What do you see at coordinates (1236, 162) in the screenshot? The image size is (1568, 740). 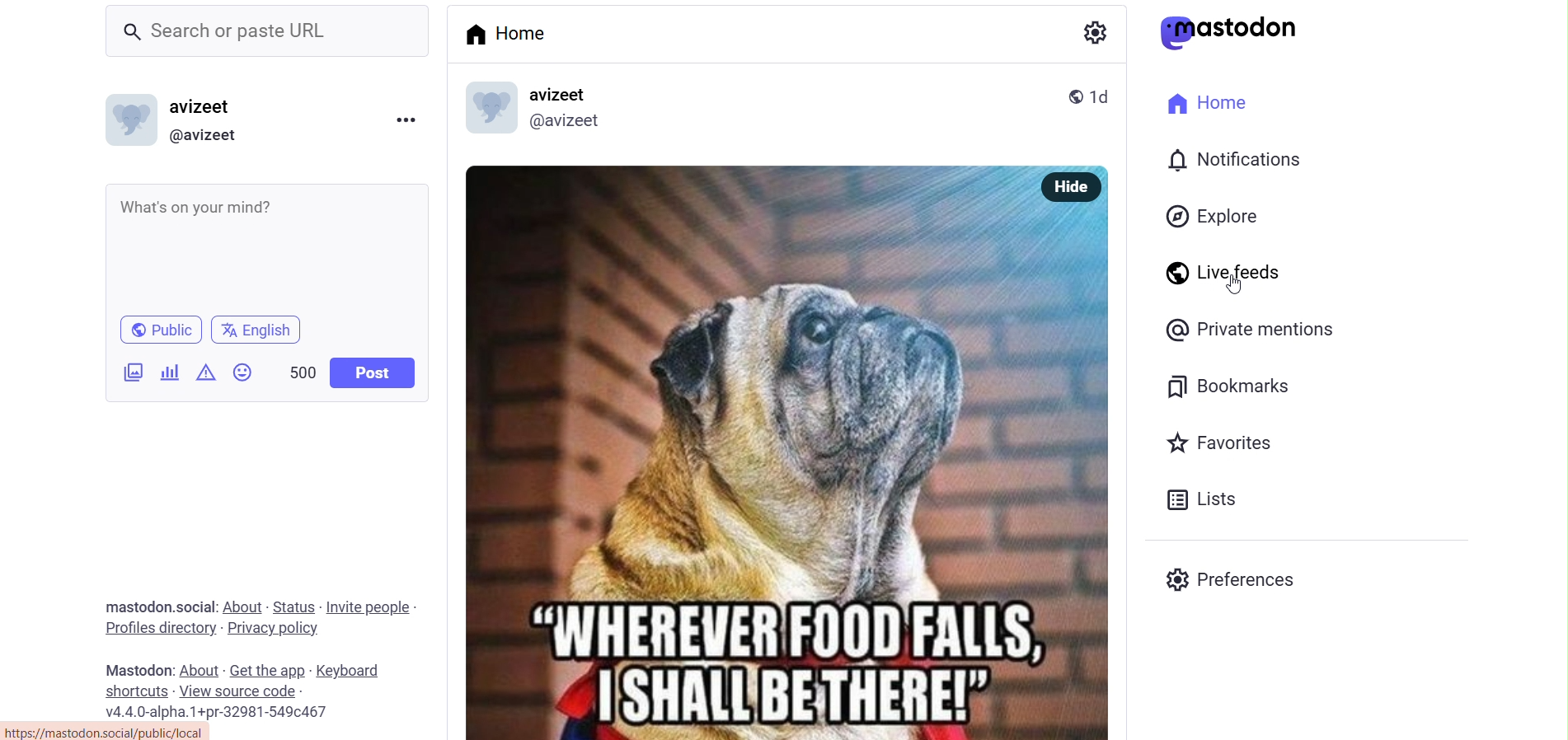 I see `notification` at bounding box center [1236, 162].